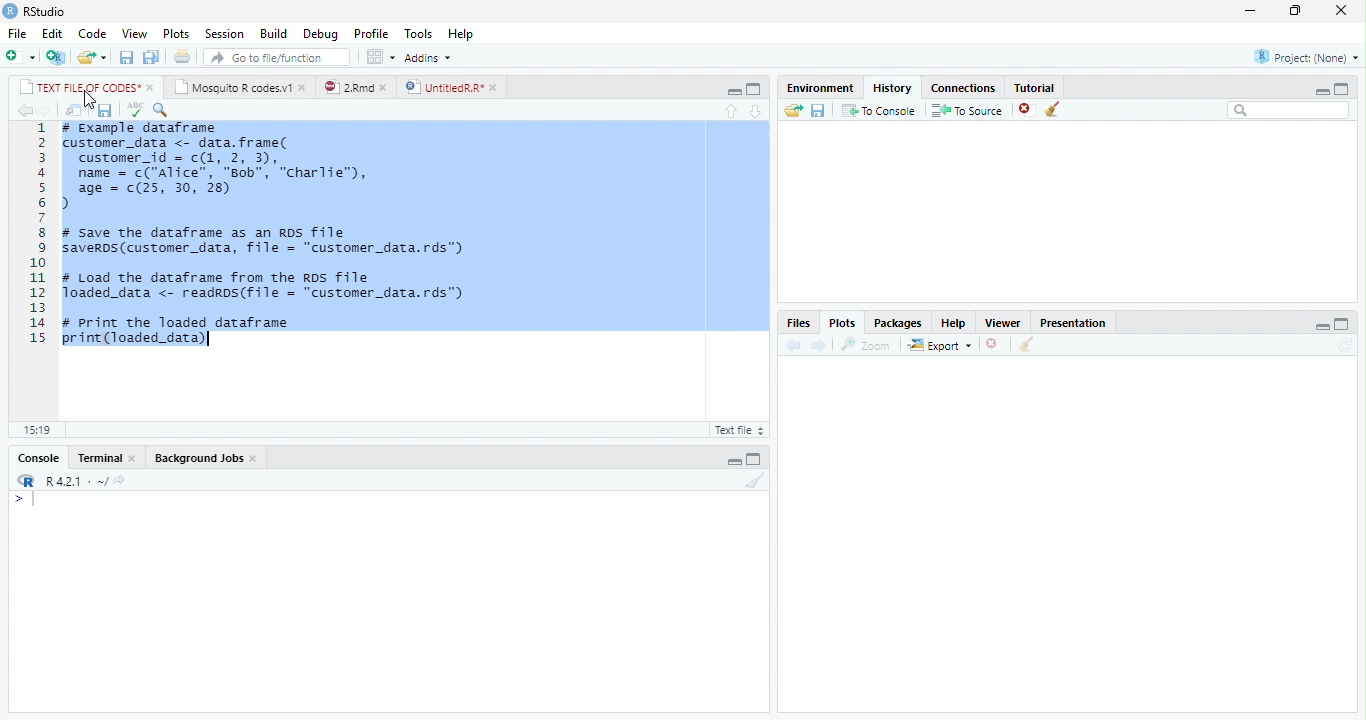 This screenshot has width=1366, height=720. Describe the element at coordinates (496, 87) in the screenshot. I see `close` at that location.